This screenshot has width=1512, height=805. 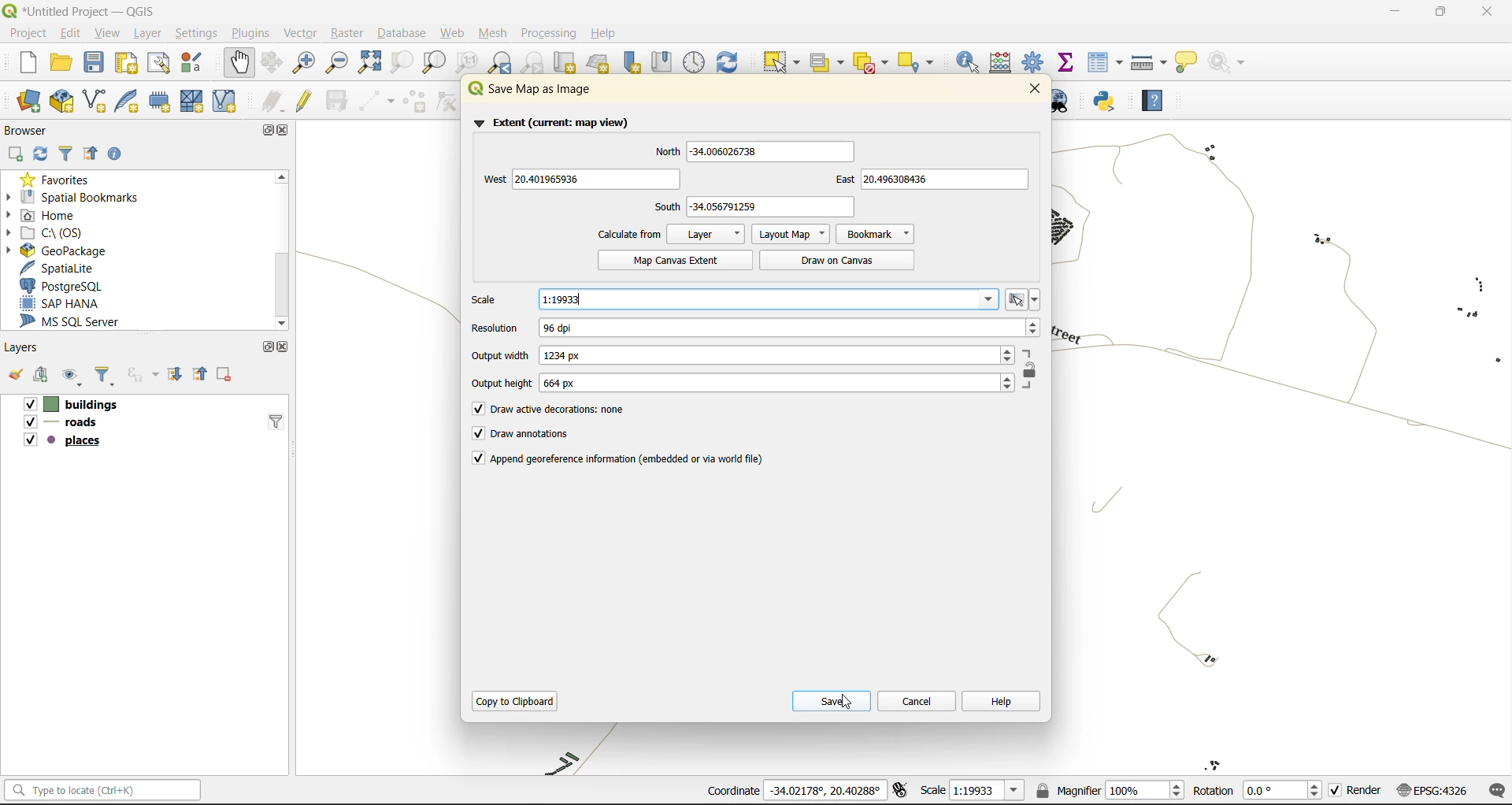 What do you see at coordinates (1487, 11) in the screenshot?
I see `close` at bounding box center [1487, 11].